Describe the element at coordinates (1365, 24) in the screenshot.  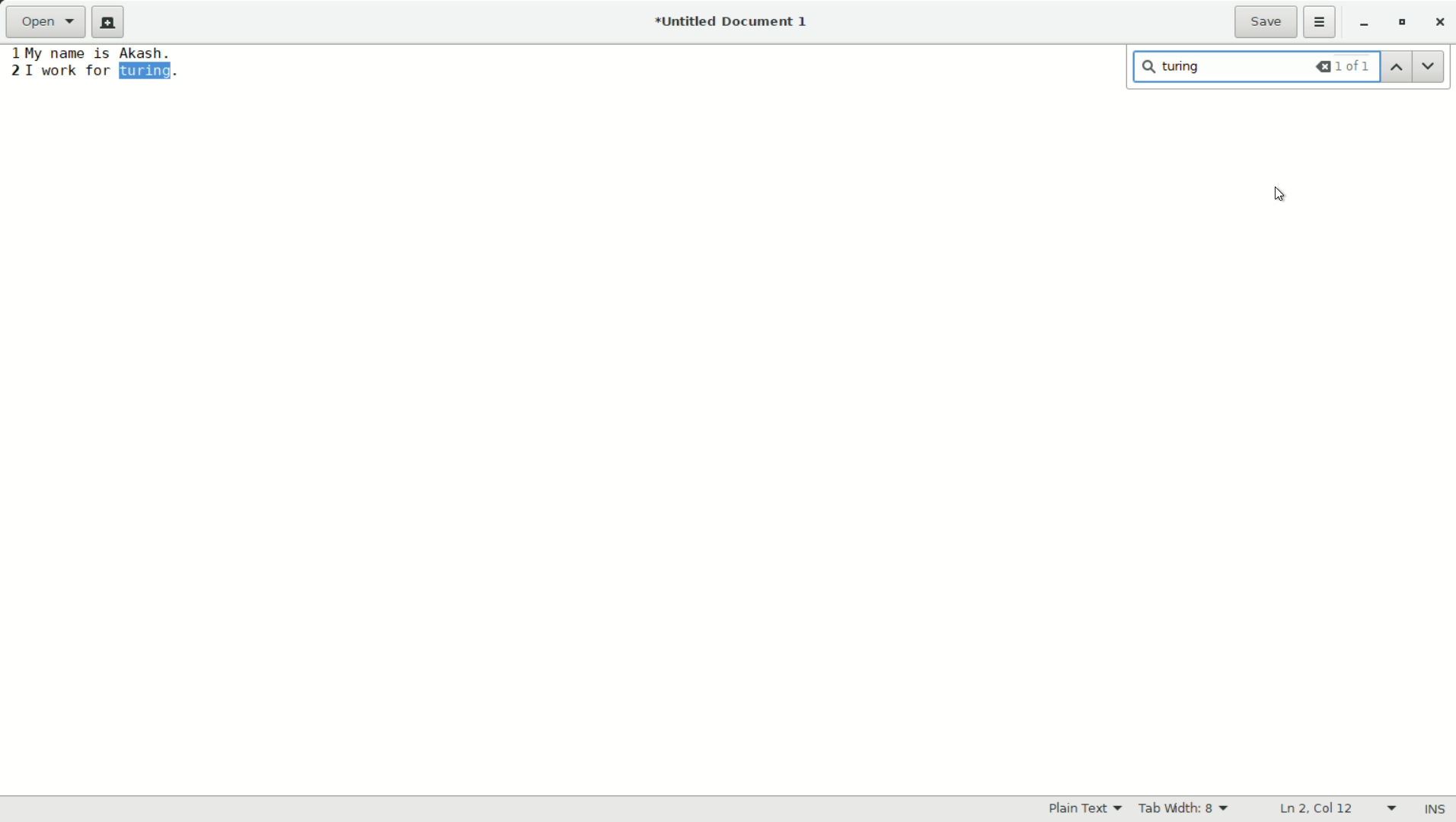
I see `minimize` at that location.